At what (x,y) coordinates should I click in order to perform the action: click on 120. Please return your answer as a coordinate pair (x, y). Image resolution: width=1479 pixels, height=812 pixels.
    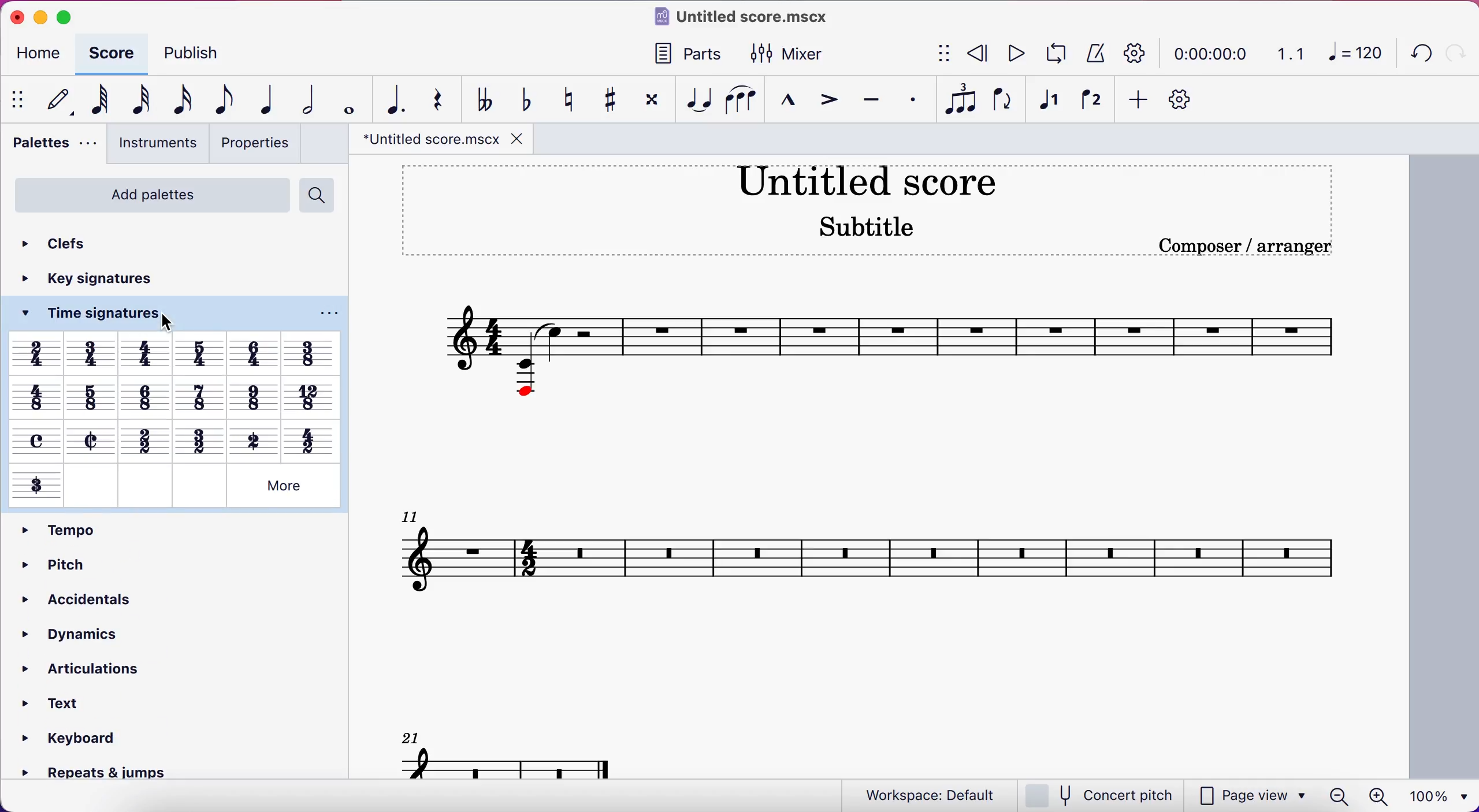
    Looking at the image, I should click on (1350, 51).